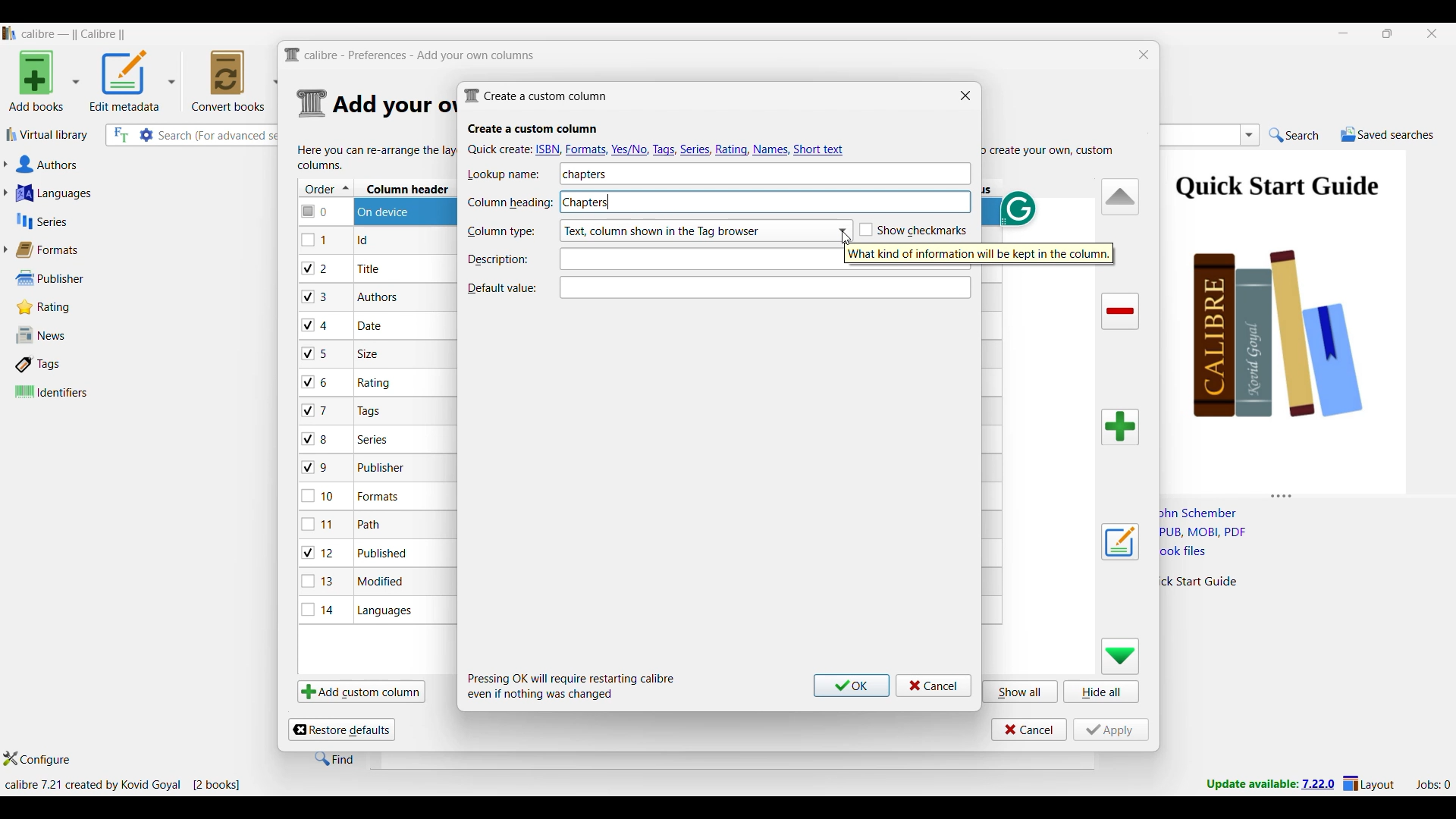  What do you see at coordinates (45, 80) in the screenshot?
I see `Add book options` at bounding box center [45, 80].